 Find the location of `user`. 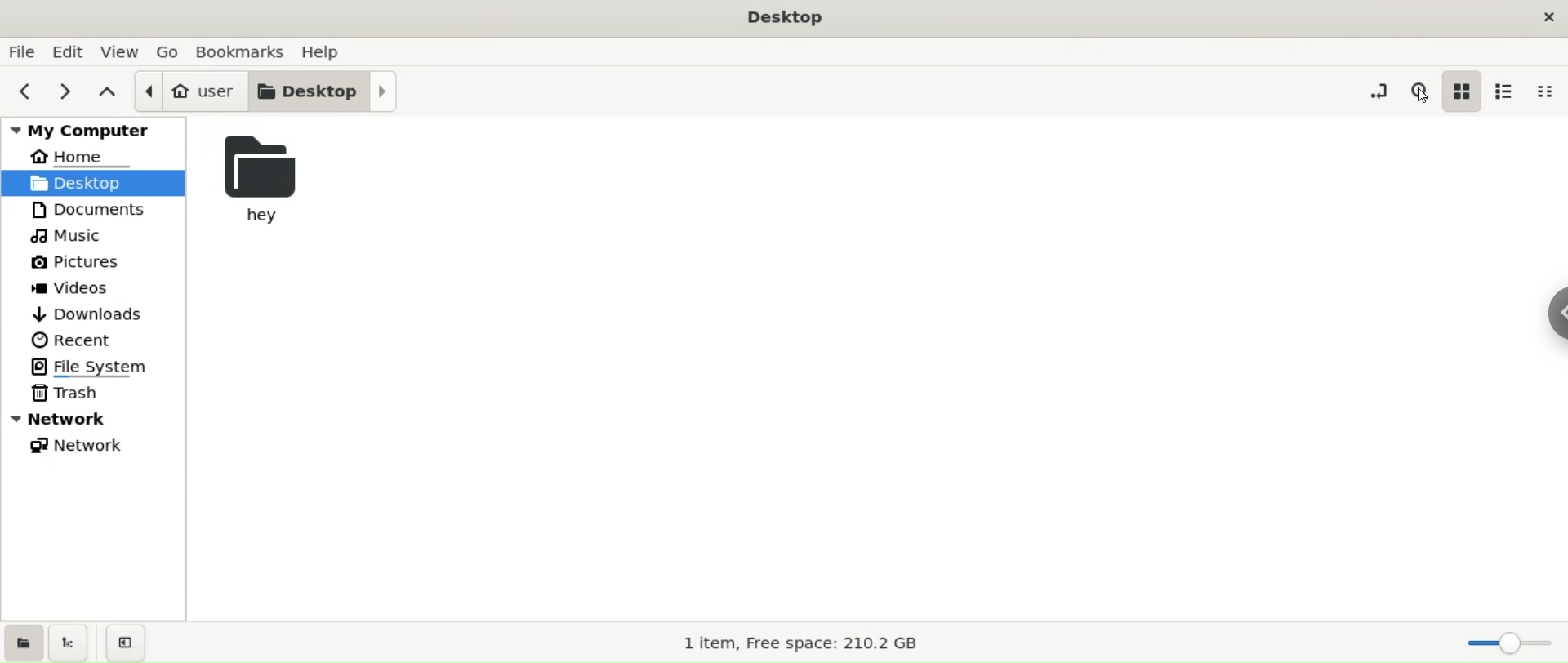

user is located at coordinates (183, 91).